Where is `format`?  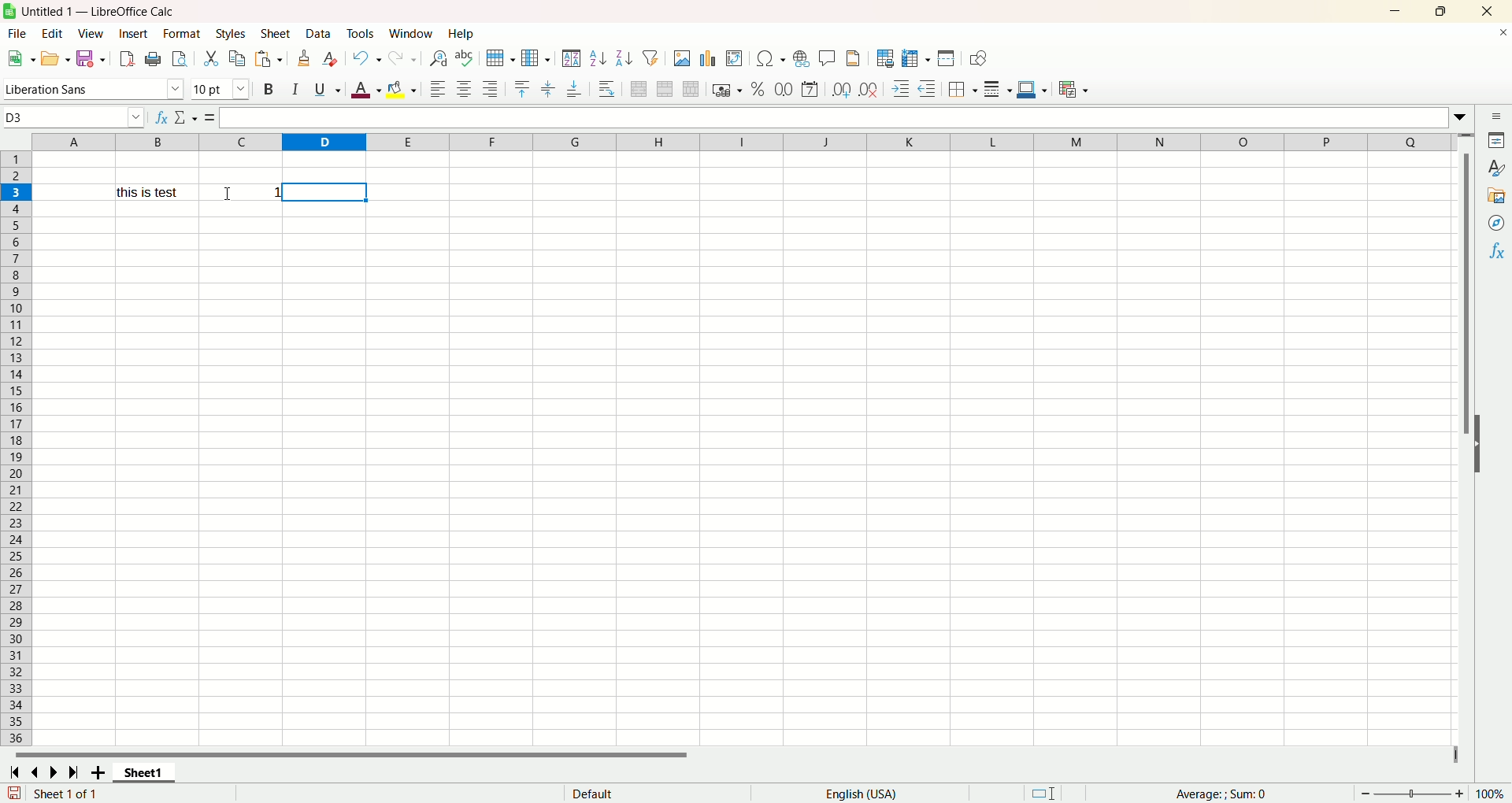 format is located at coordinates (182, 35).